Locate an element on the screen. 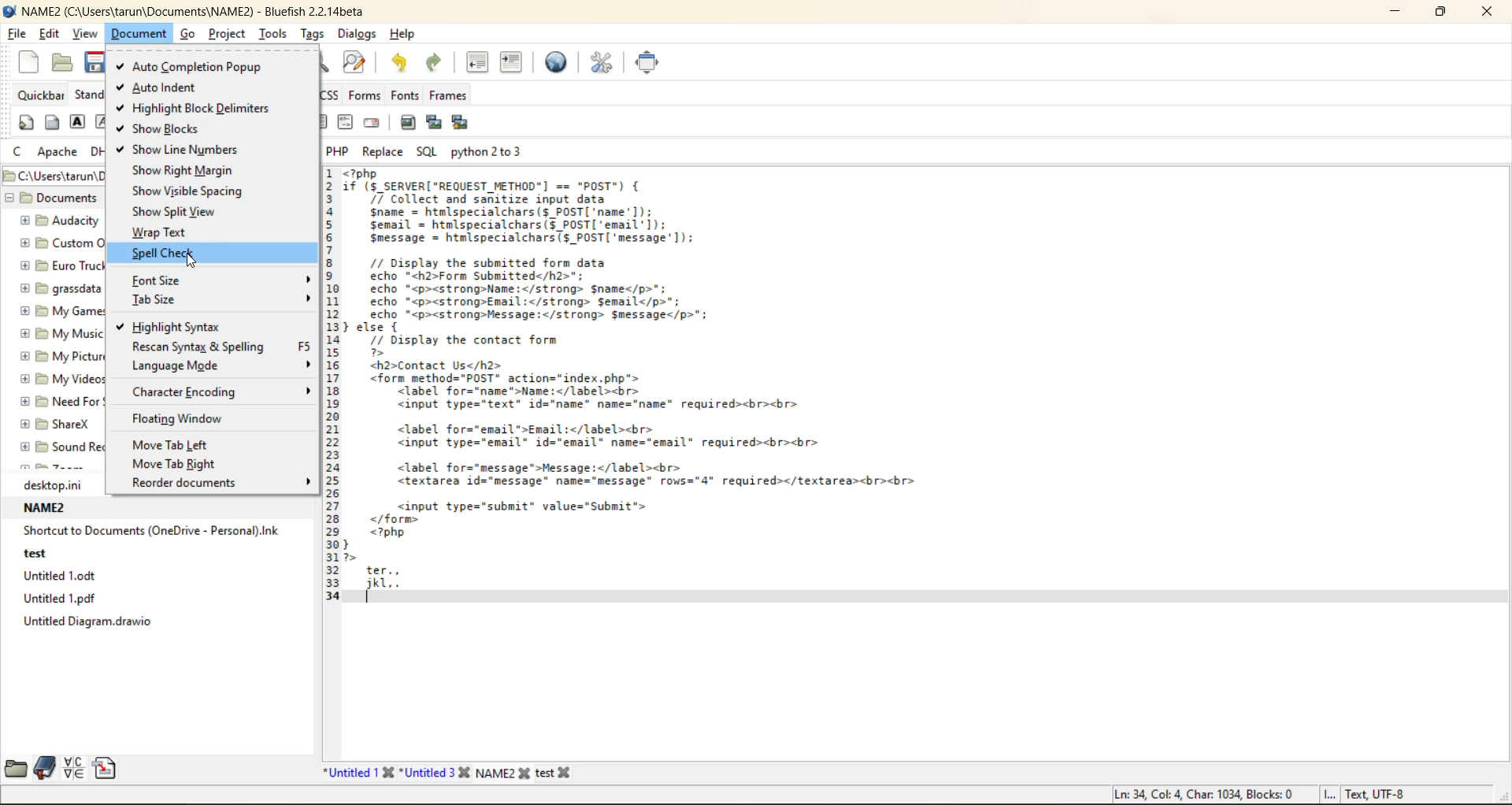 The height and width of the screenshot is (805, 1512). replace is located at coordinates (385, 150).